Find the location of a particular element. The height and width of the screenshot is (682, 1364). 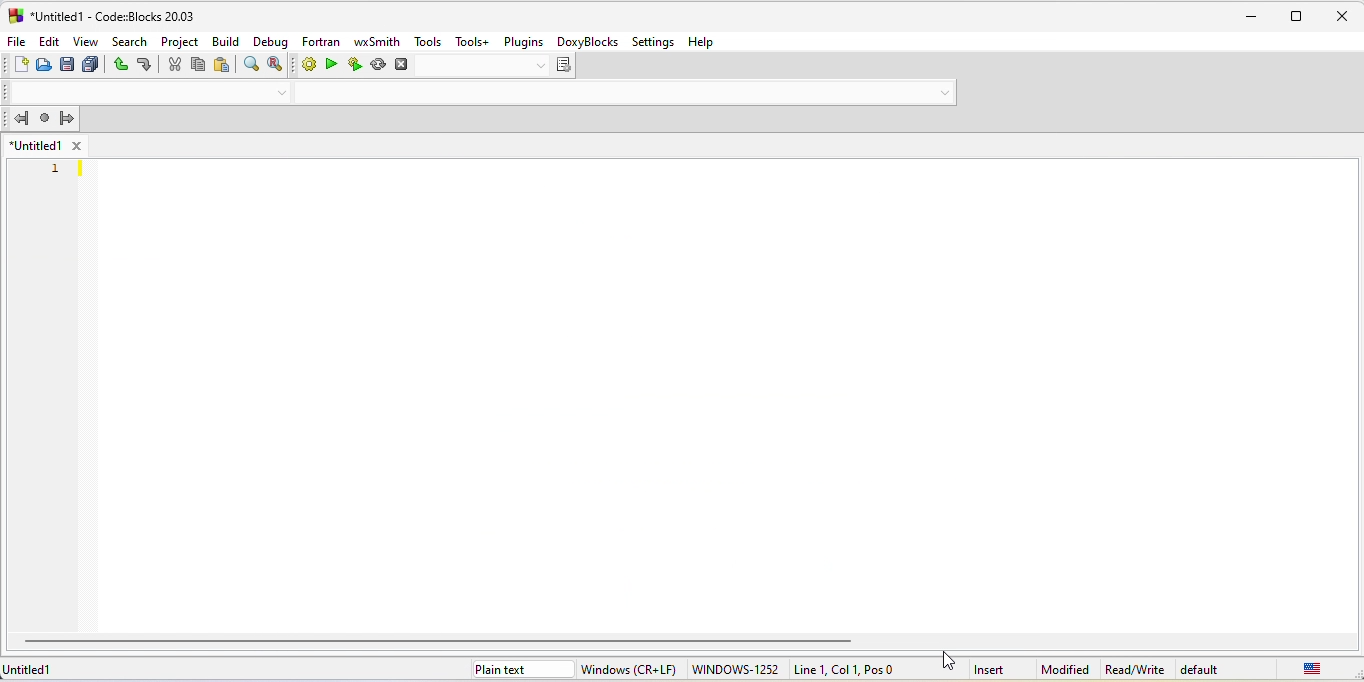

close is located at coordinates (1341, 17).